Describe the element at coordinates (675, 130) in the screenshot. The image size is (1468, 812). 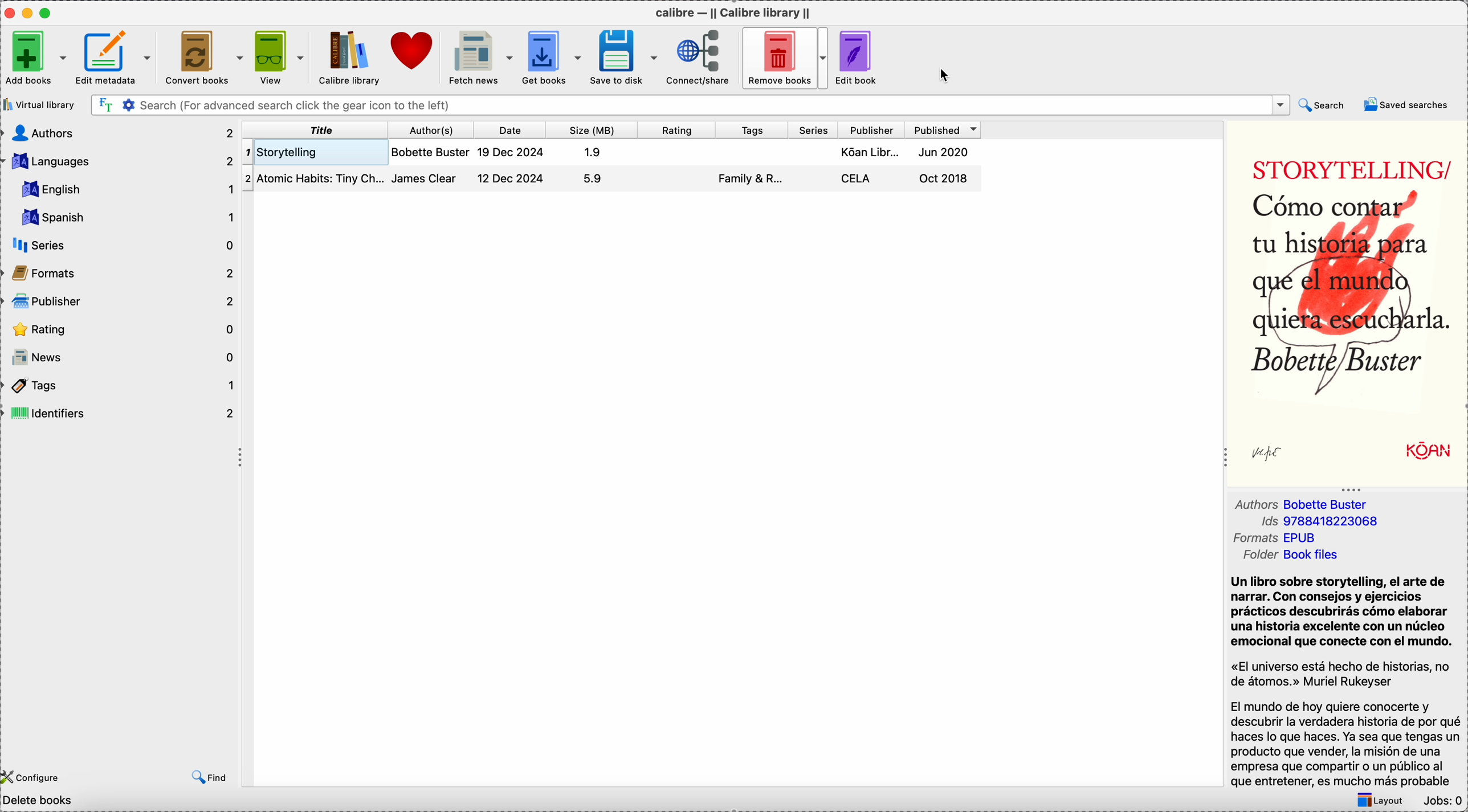
I see `rating` at that location.